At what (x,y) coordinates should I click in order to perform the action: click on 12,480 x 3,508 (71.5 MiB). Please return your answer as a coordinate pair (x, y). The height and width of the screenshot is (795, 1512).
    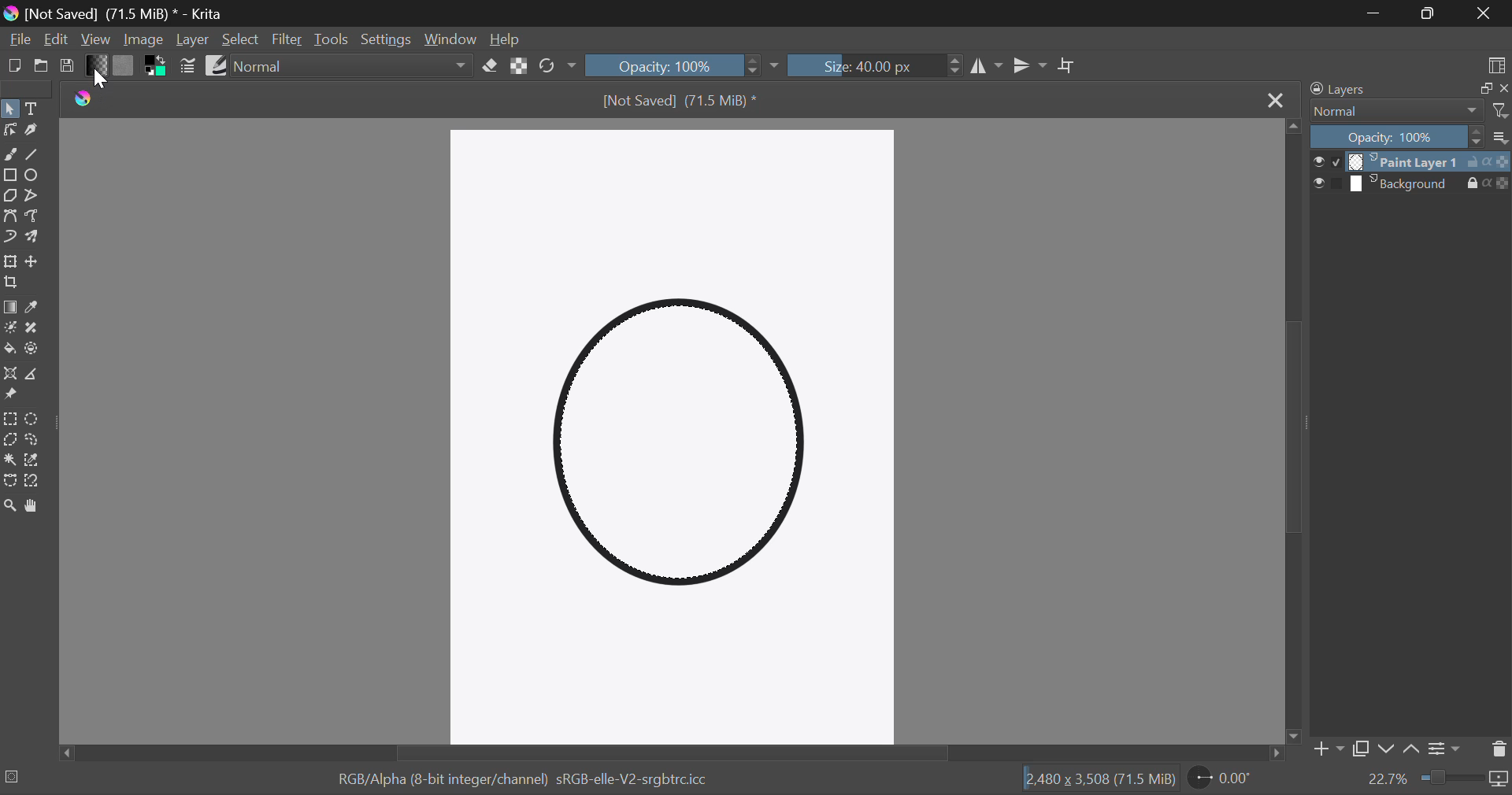
    Looking at the image, I should click on (1099, 779).